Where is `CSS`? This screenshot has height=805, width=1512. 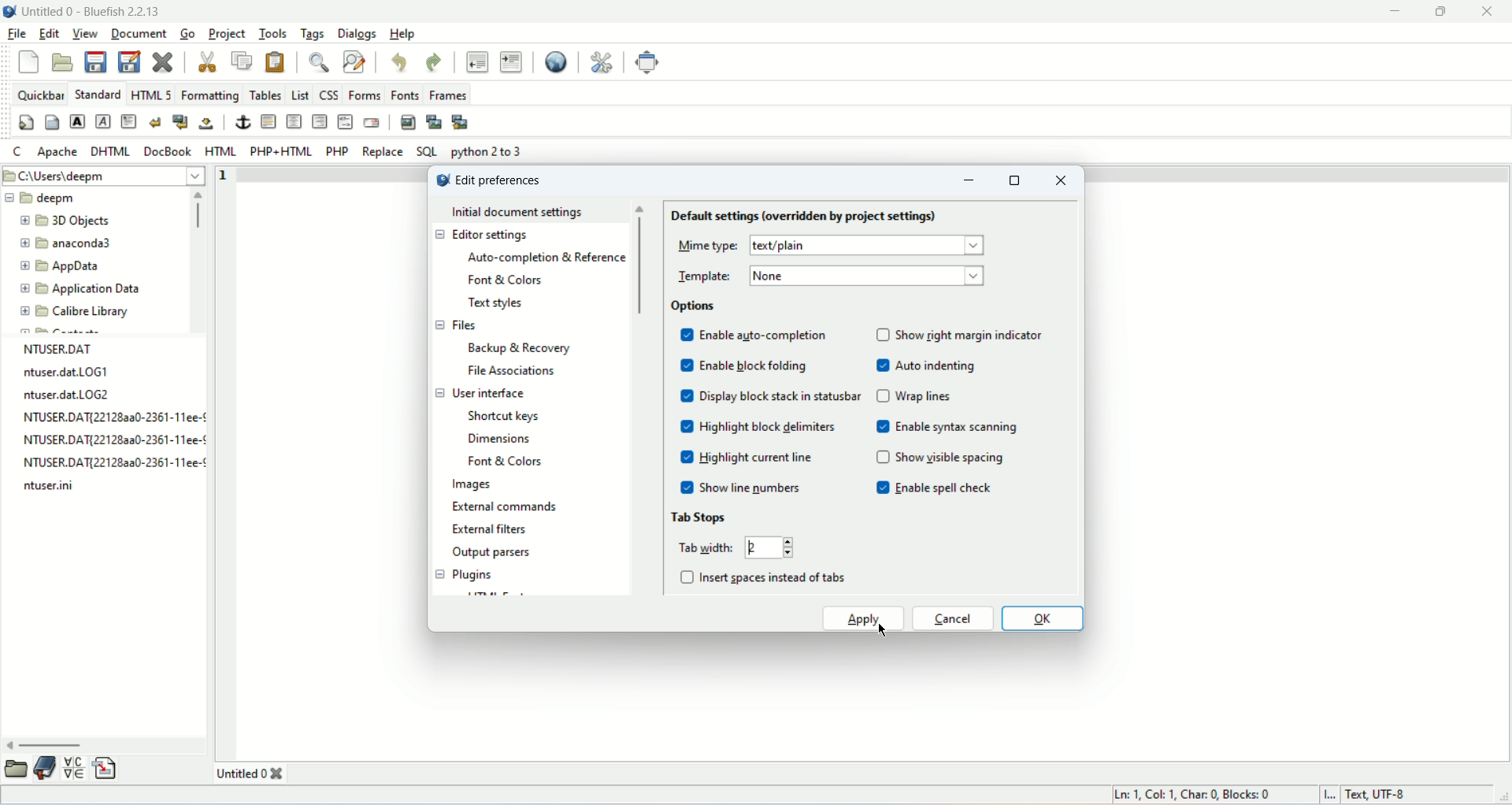
CSS is located at coordinates (329, 93).